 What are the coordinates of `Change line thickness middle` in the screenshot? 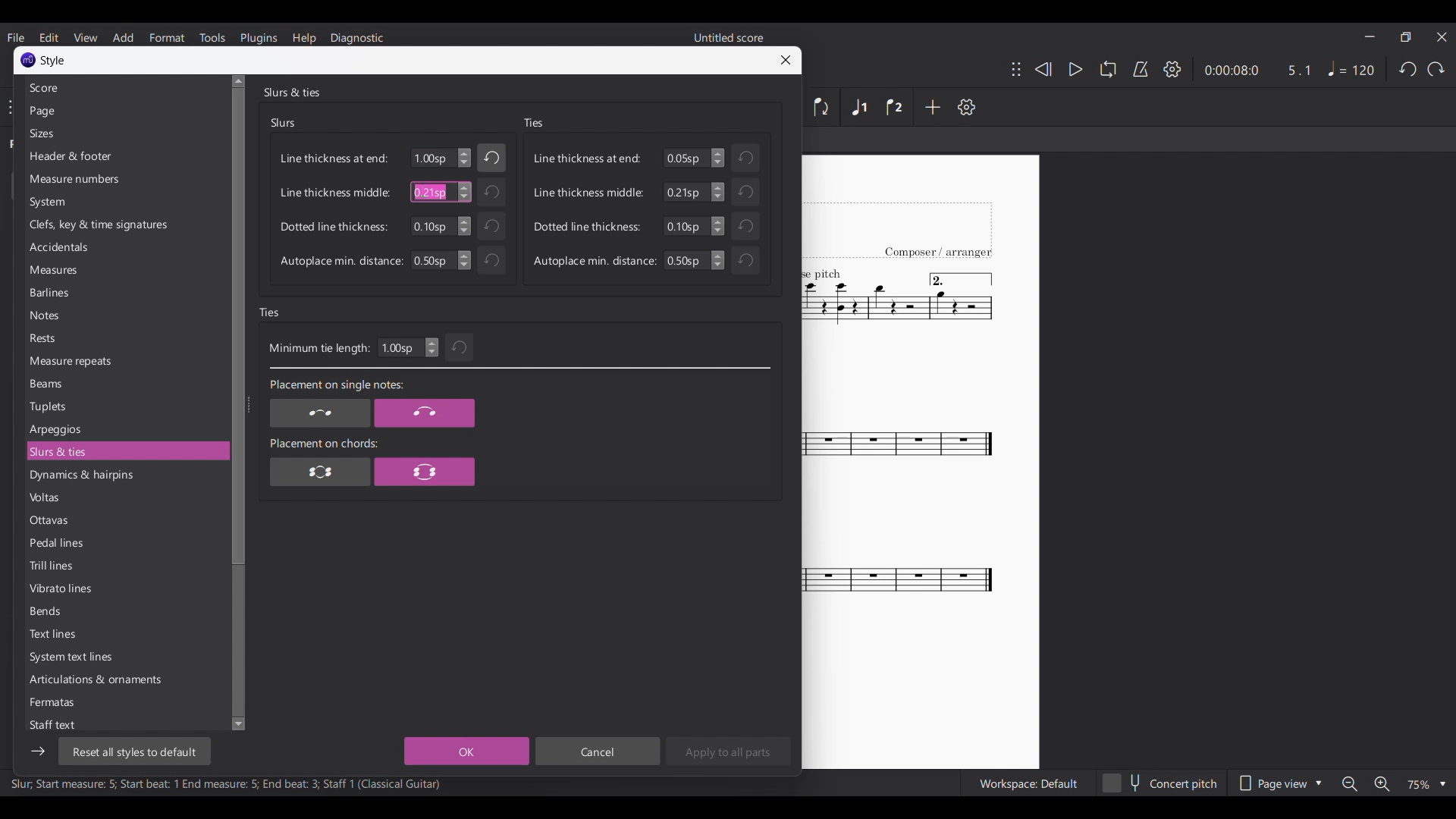 It's located at (717, 192).